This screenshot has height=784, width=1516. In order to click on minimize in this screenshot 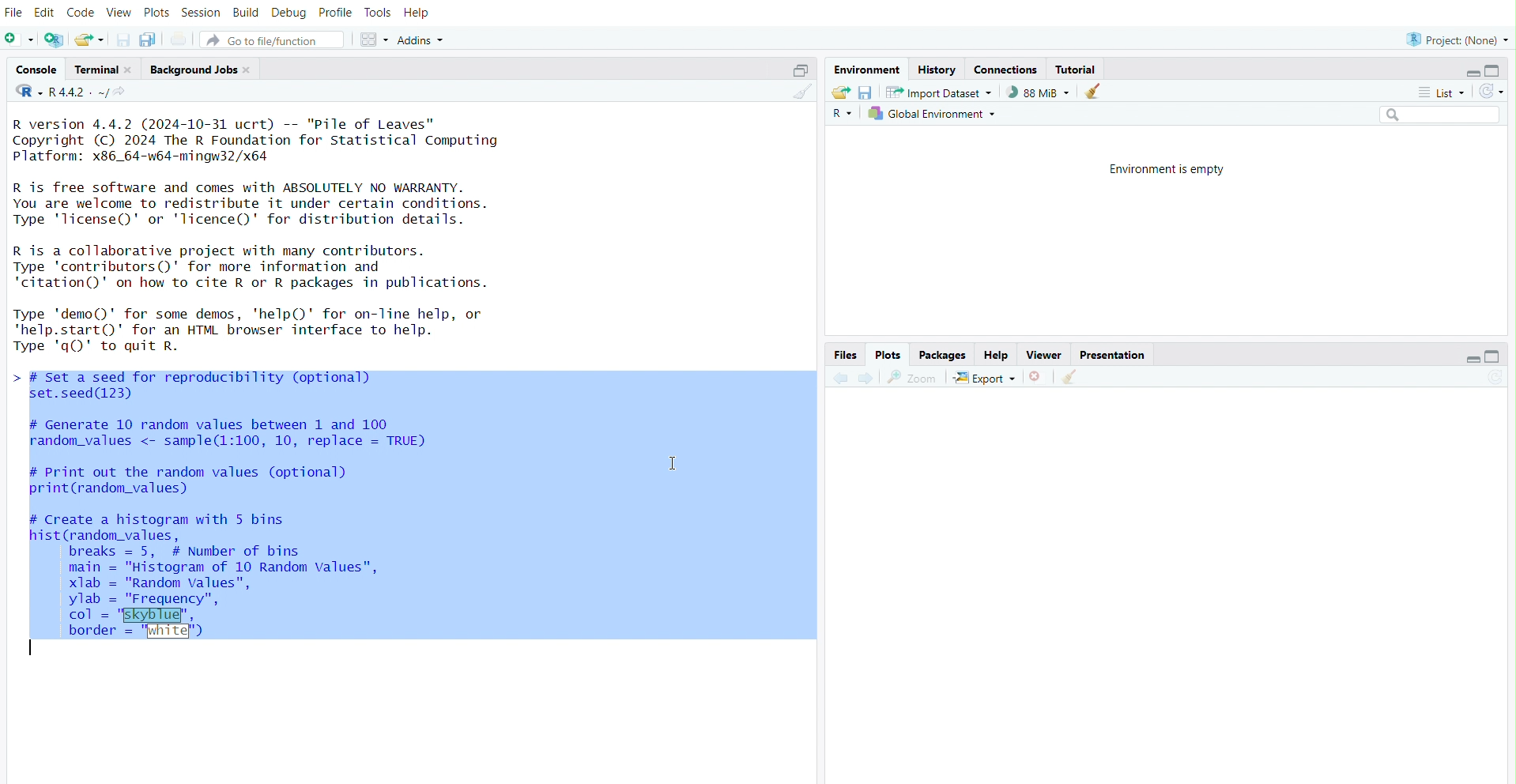, I will do `click(1468, 357)`.